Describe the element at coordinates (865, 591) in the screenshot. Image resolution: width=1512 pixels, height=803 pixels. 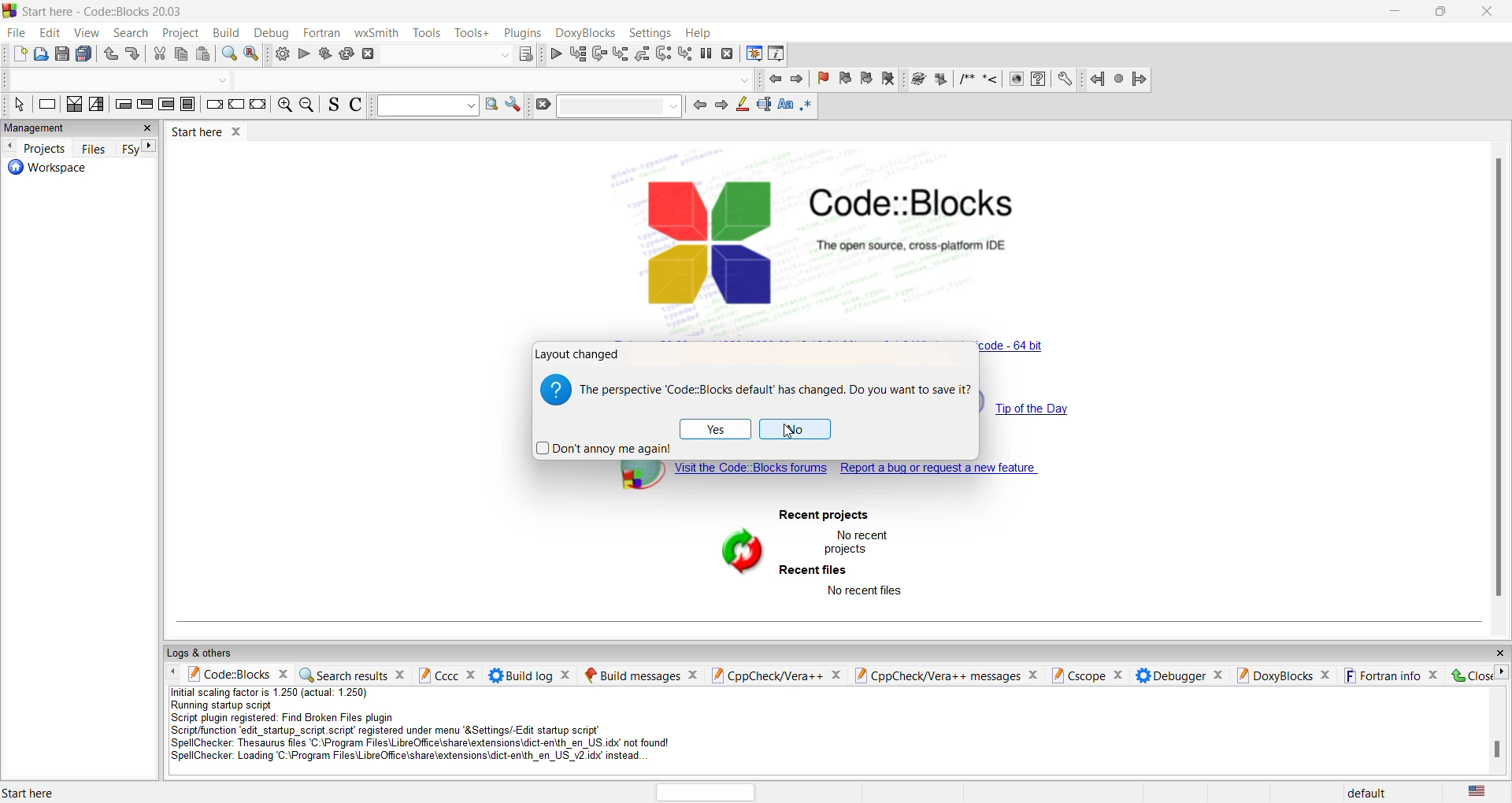
I see `no recent files` at that location.